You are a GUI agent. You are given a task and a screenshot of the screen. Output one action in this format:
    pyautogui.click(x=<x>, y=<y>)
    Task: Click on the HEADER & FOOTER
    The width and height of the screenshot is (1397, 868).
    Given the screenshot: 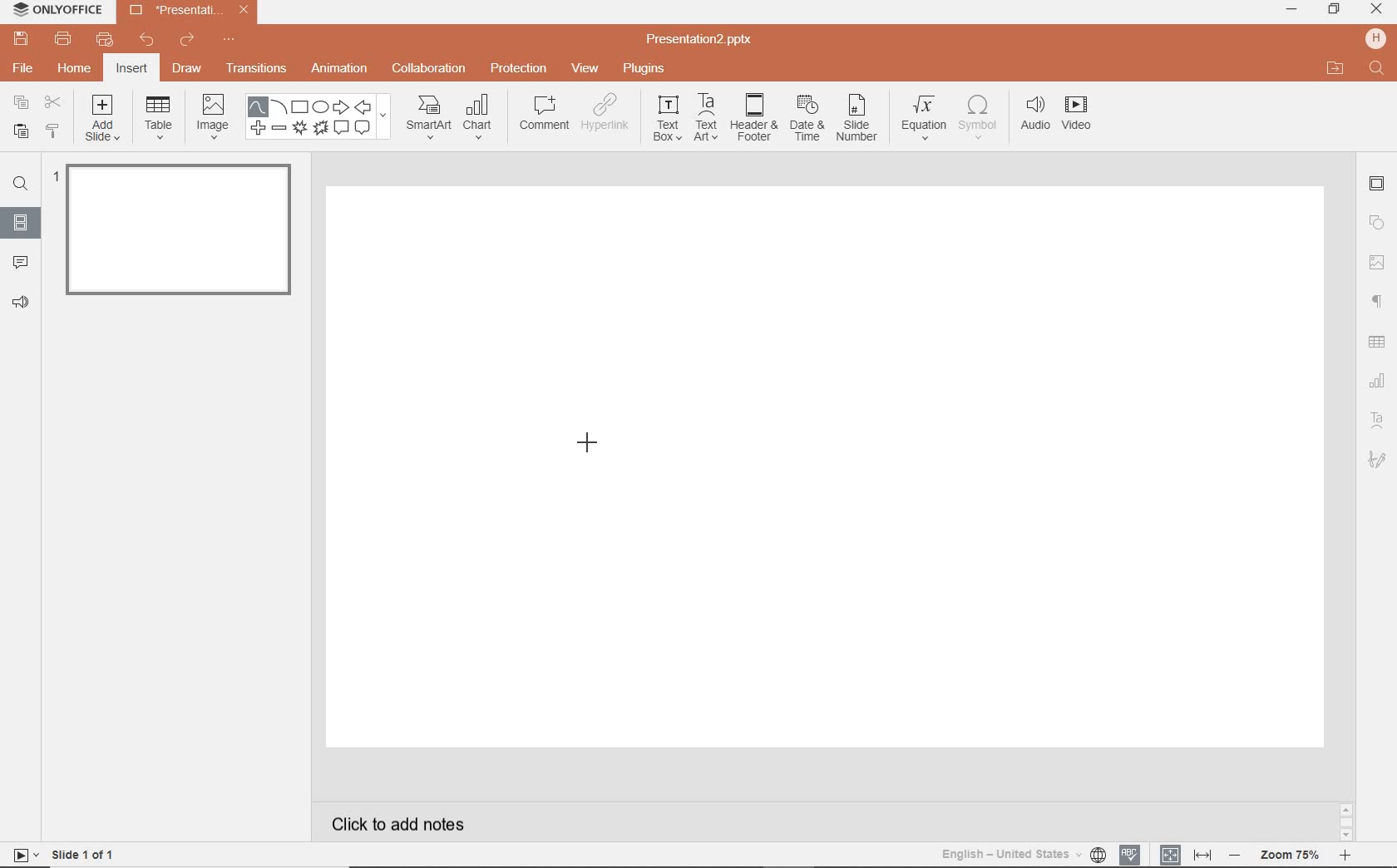 What is the action you would take?
    pyautogui.click(x=753, y=118)
    